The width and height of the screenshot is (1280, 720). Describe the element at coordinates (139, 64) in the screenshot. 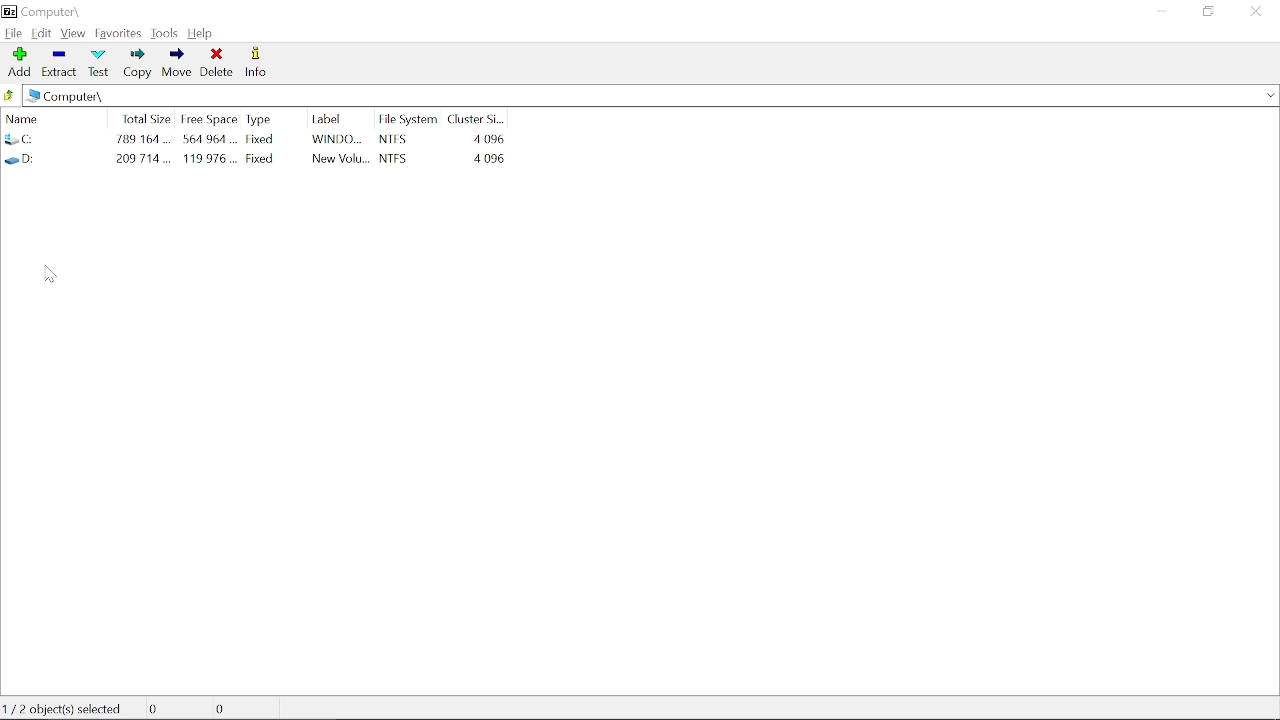

I see `copy` at that location.